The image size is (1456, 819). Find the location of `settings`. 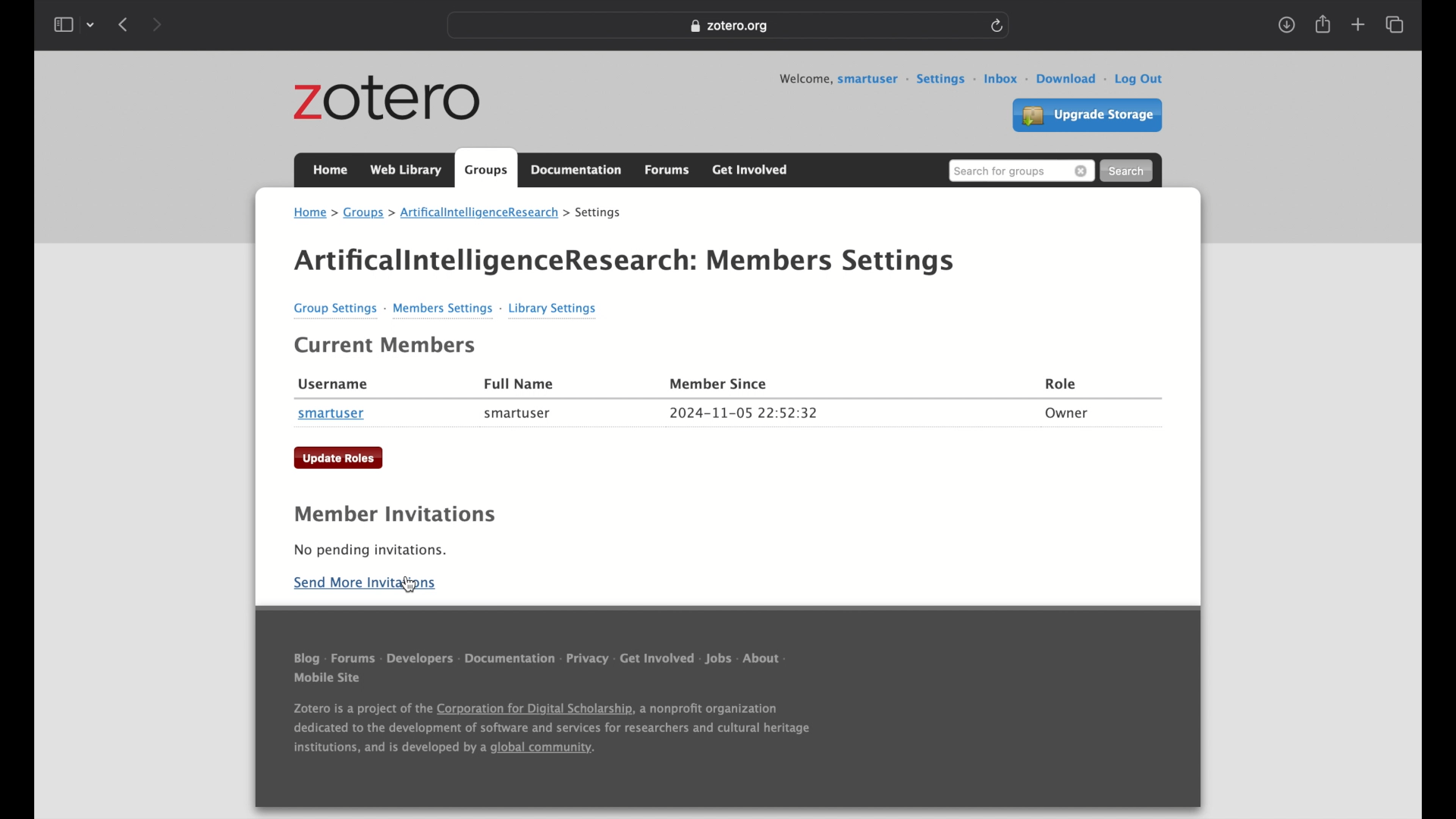

settings is located at coordinates (600, 213).